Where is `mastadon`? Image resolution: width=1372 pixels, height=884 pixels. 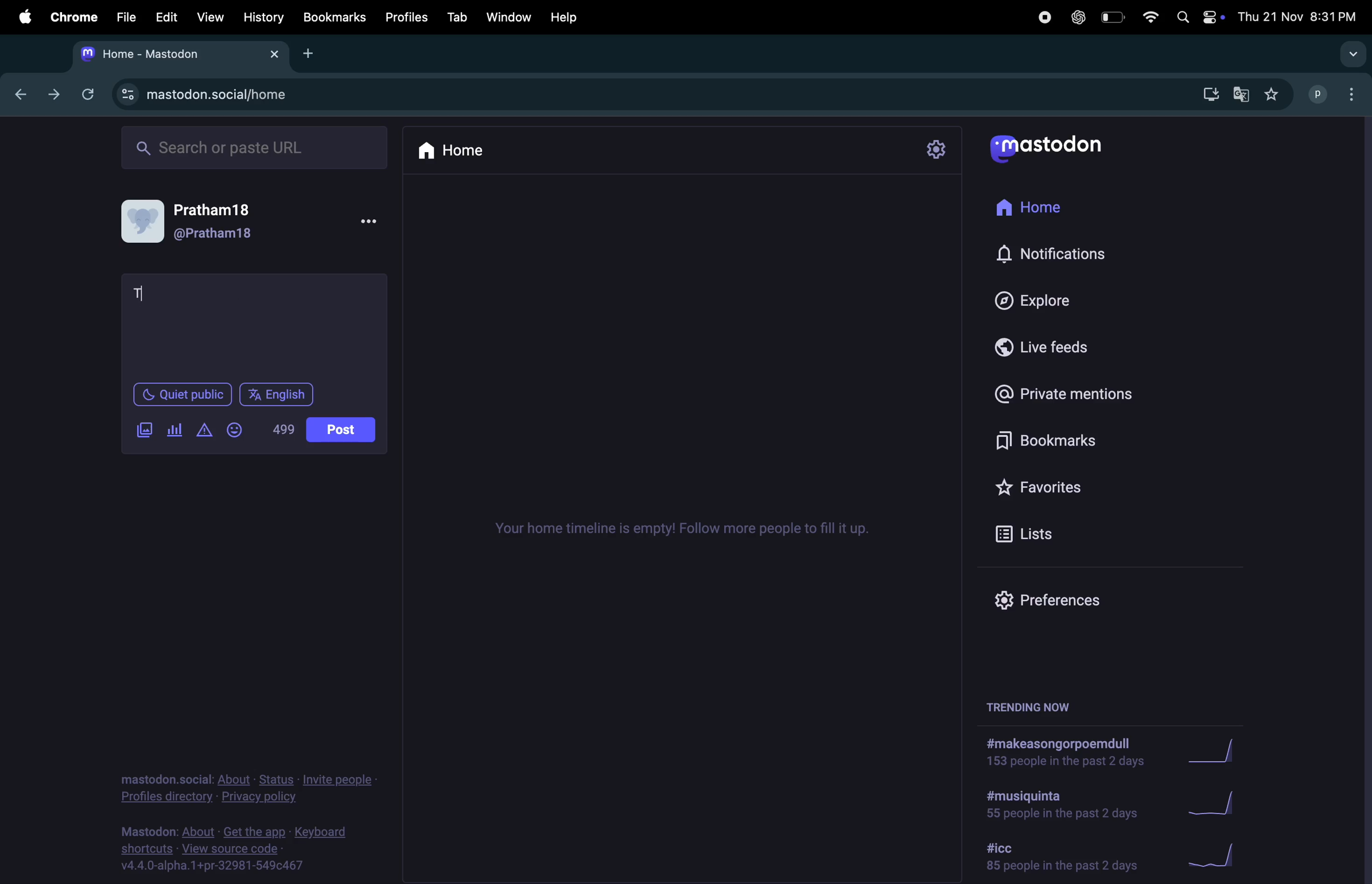
mastadon is located at coordinates (1045, 148).